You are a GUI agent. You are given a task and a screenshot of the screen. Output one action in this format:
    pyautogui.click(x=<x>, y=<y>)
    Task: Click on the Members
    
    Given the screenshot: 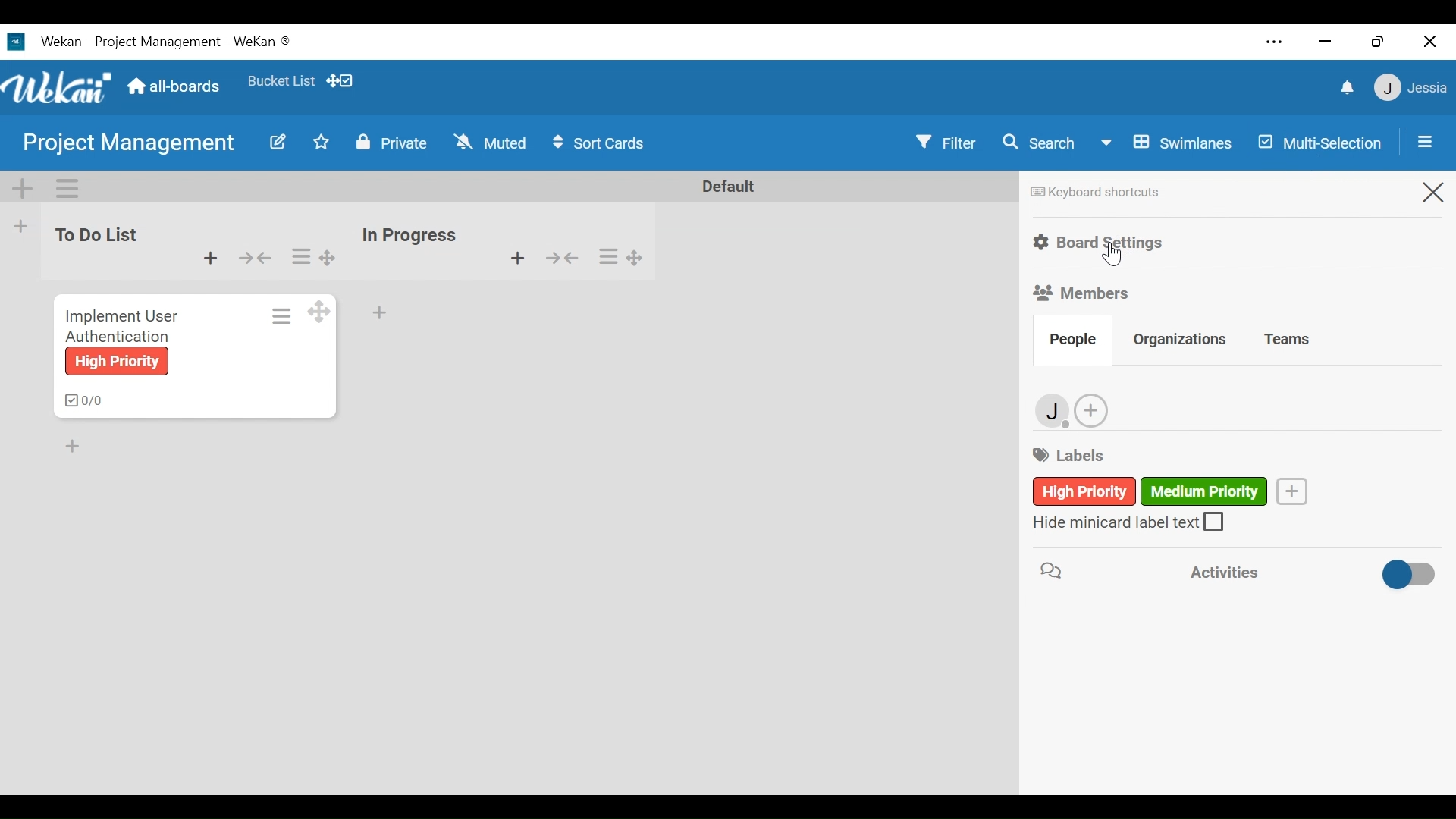 What is the action you would take?
    pyautogui.click(x=1084, y=292)
    